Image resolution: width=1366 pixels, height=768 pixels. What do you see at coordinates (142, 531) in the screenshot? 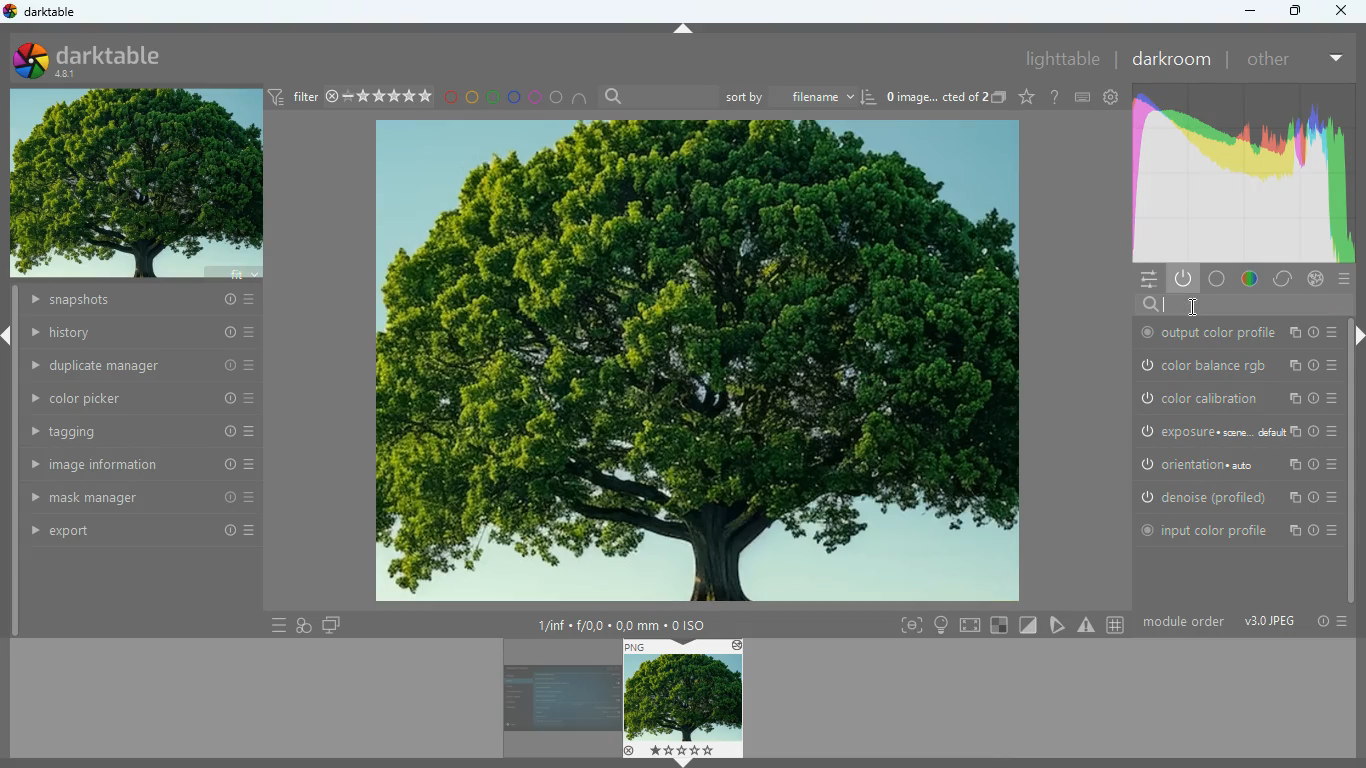
I see `export` at bounding box center [142, 531].